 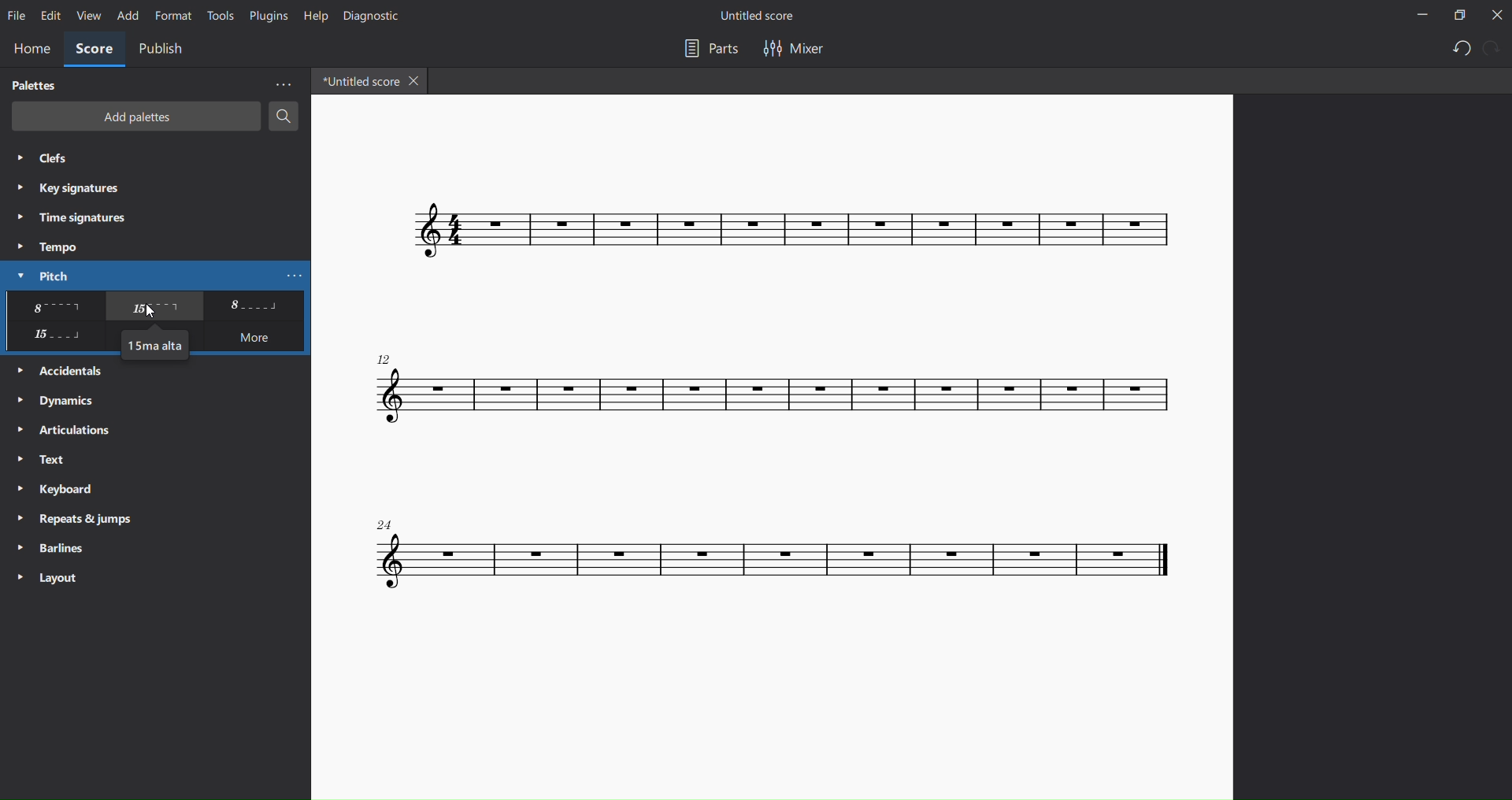 What do you see at coordinates (799, 50) in the screenshot?
I see `mixer` at bounding box center [799, 50].